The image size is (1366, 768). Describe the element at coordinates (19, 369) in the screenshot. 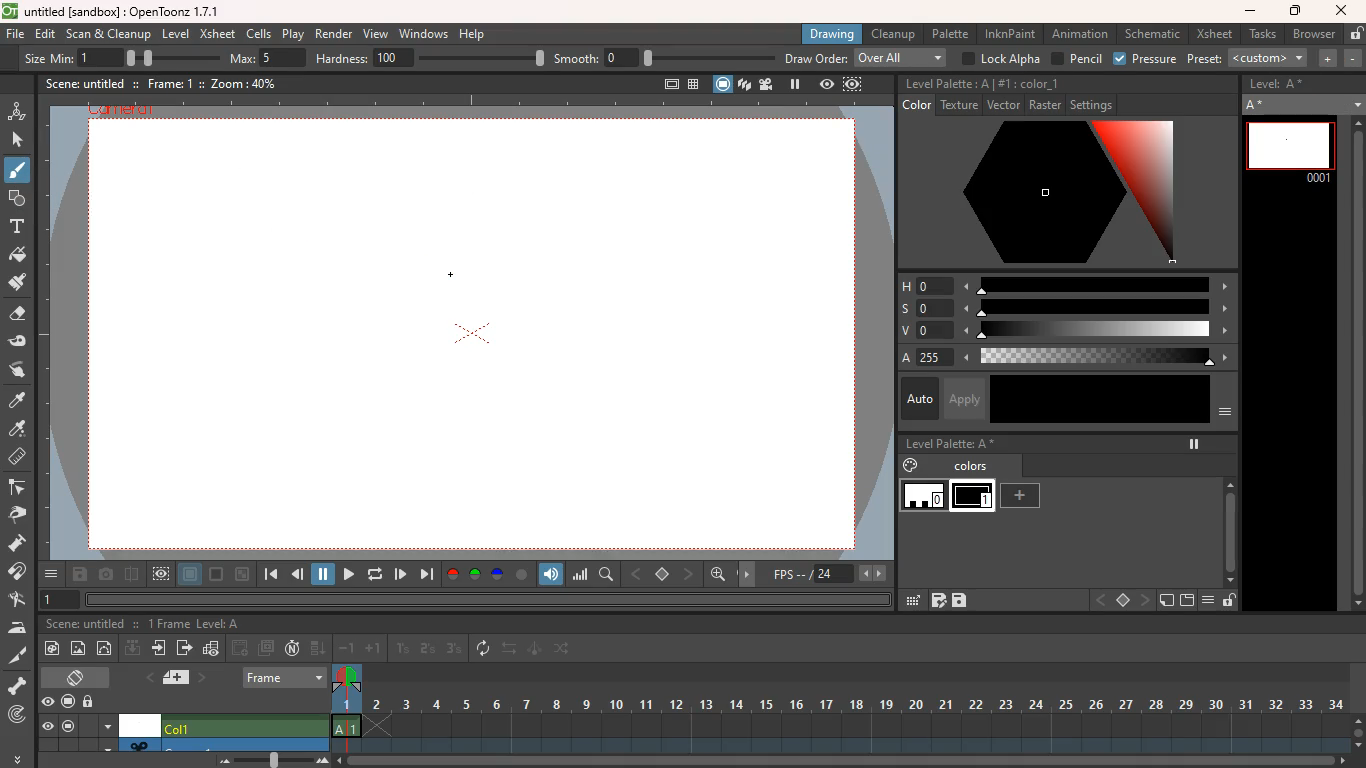

I see `swap` at that location.